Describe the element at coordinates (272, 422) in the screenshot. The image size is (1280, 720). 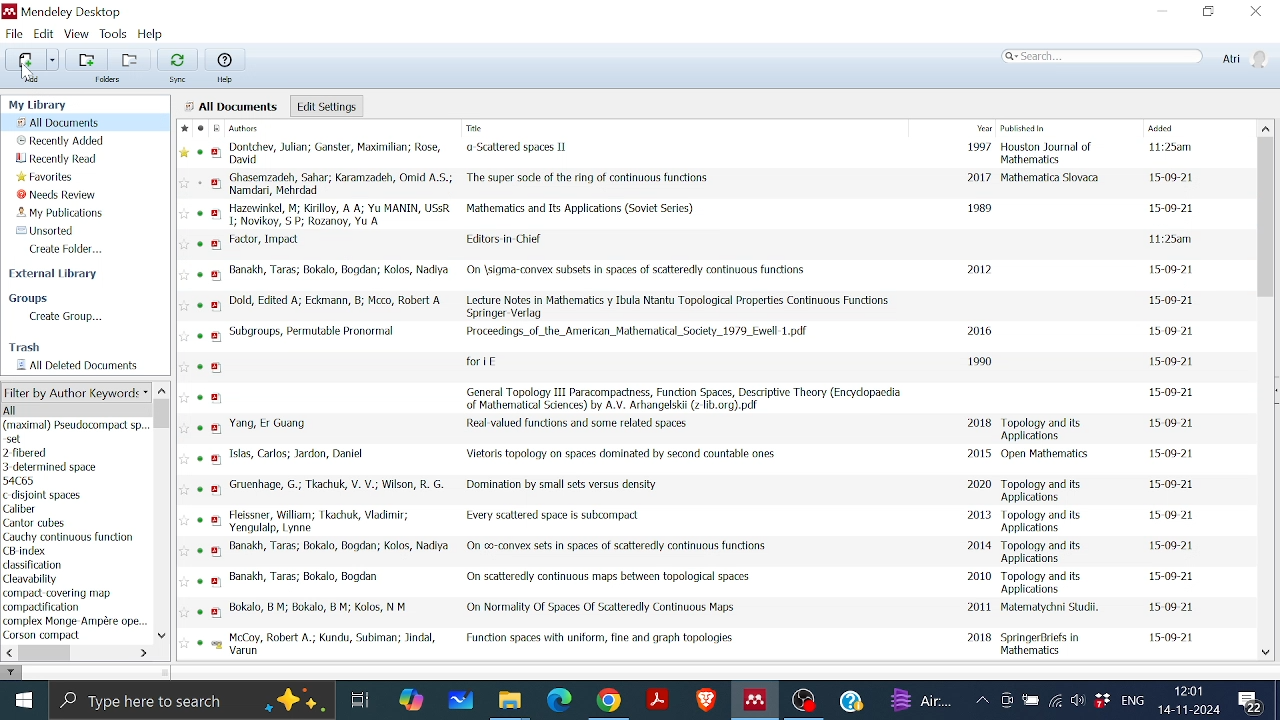
I see `Author` at that location.